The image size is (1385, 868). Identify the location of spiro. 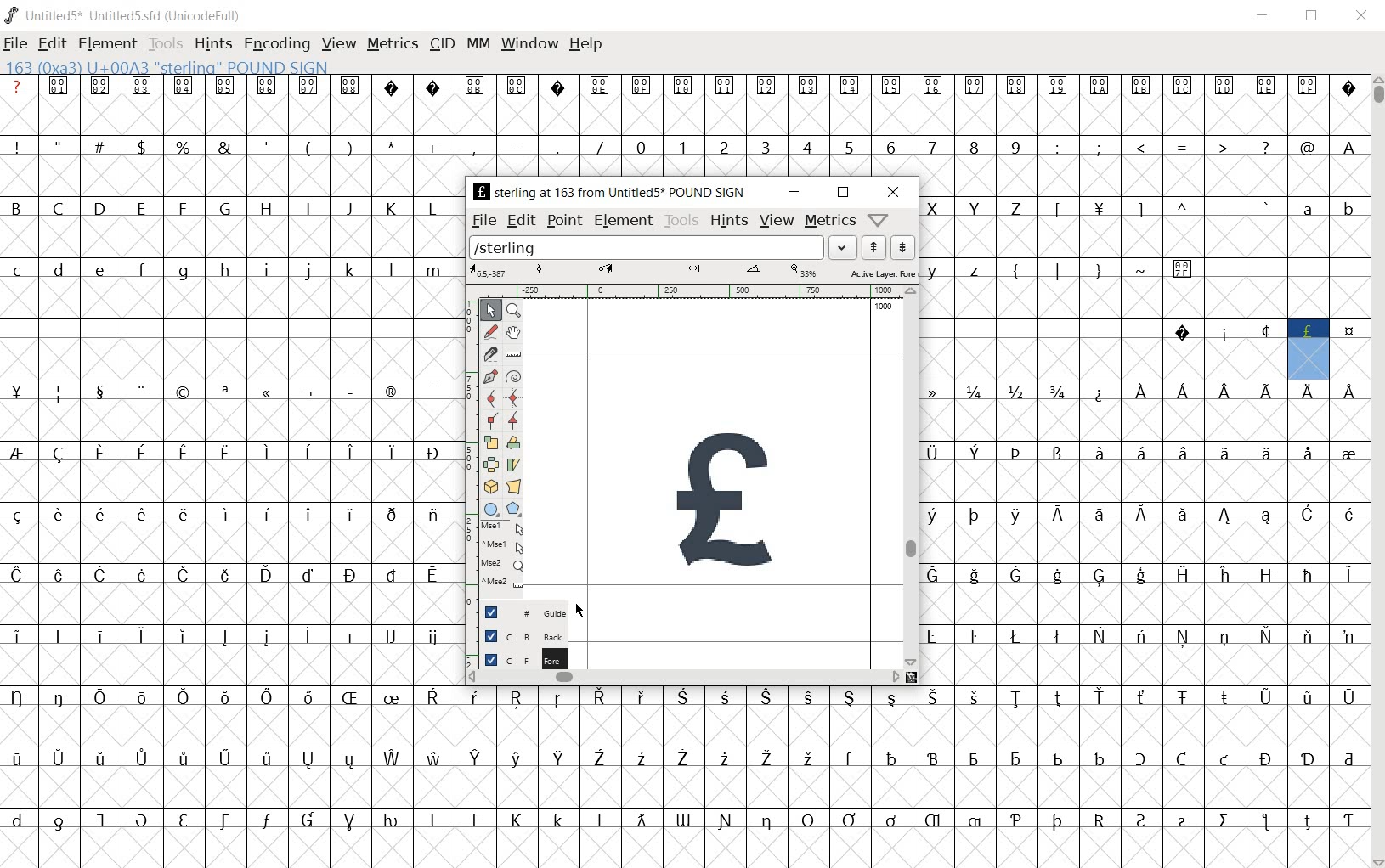
(513, 375).